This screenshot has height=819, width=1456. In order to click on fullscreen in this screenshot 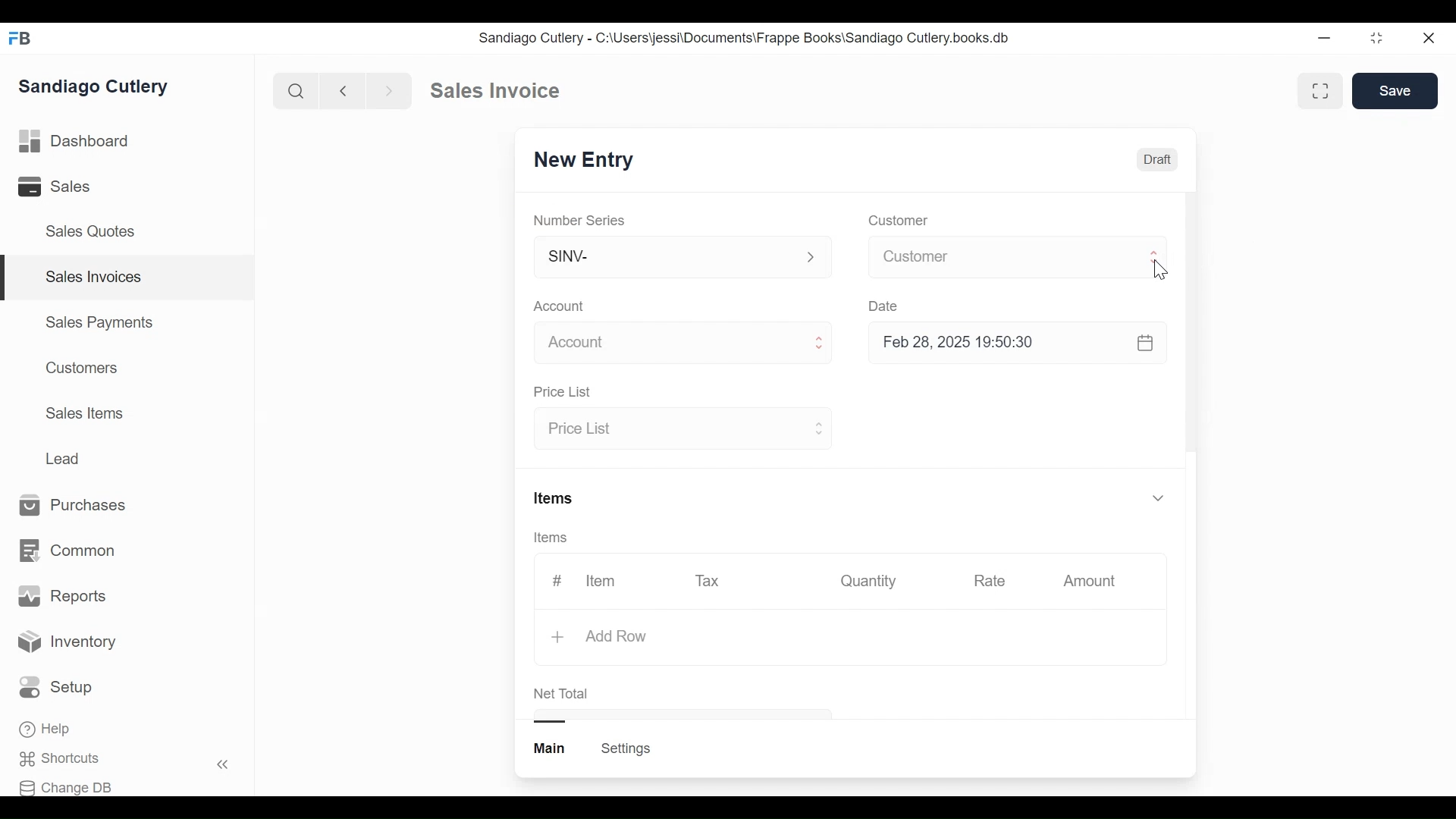, I will do `click(1323, 90)`.